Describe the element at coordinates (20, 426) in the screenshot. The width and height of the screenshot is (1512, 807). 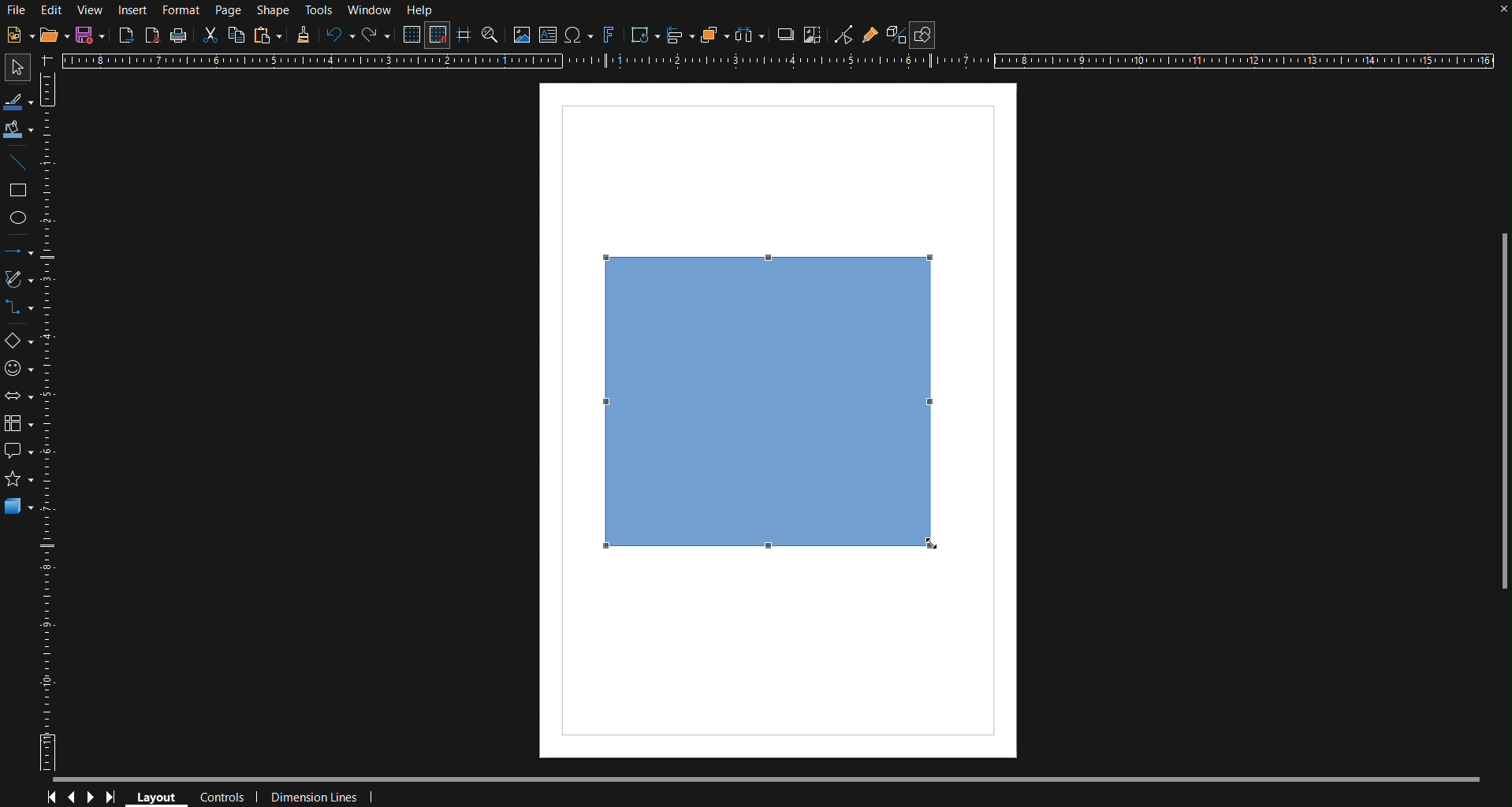
I see `Flowchart` at that location.